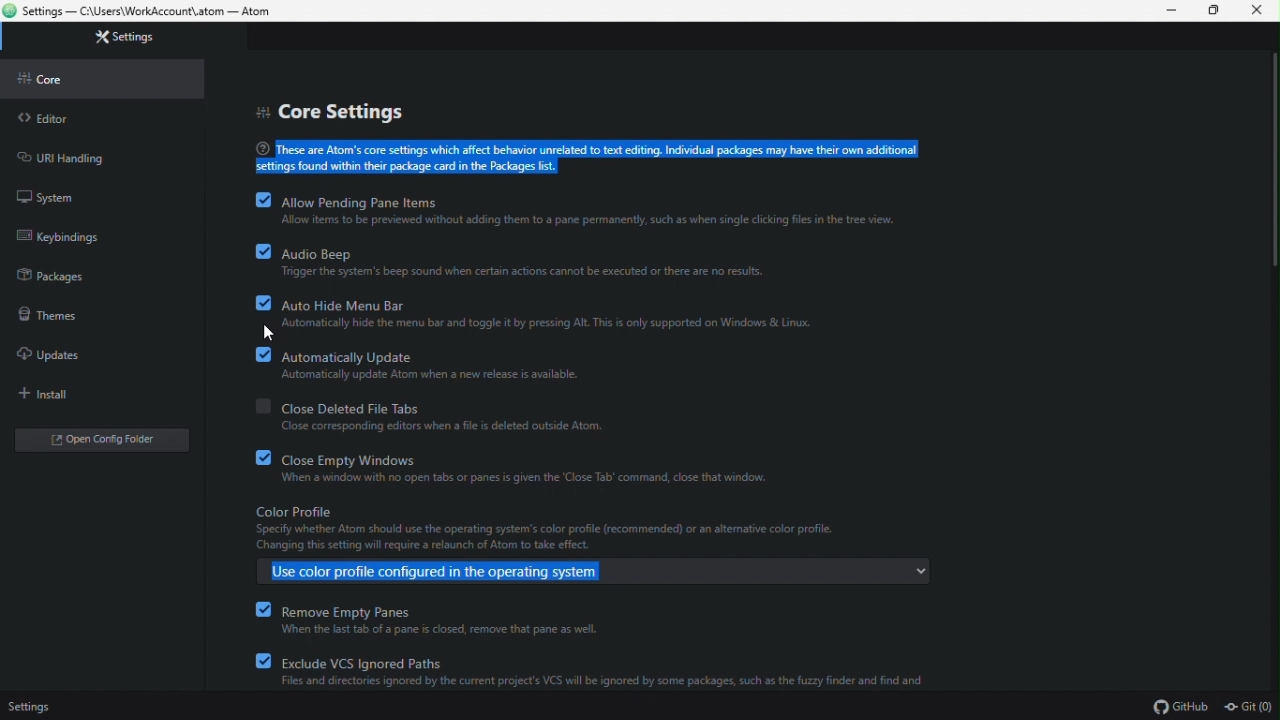 This screenshot has height=720, width=1280. Describe the element at coordinates (124, 33) in the screenshot. I see `settings` at that location.